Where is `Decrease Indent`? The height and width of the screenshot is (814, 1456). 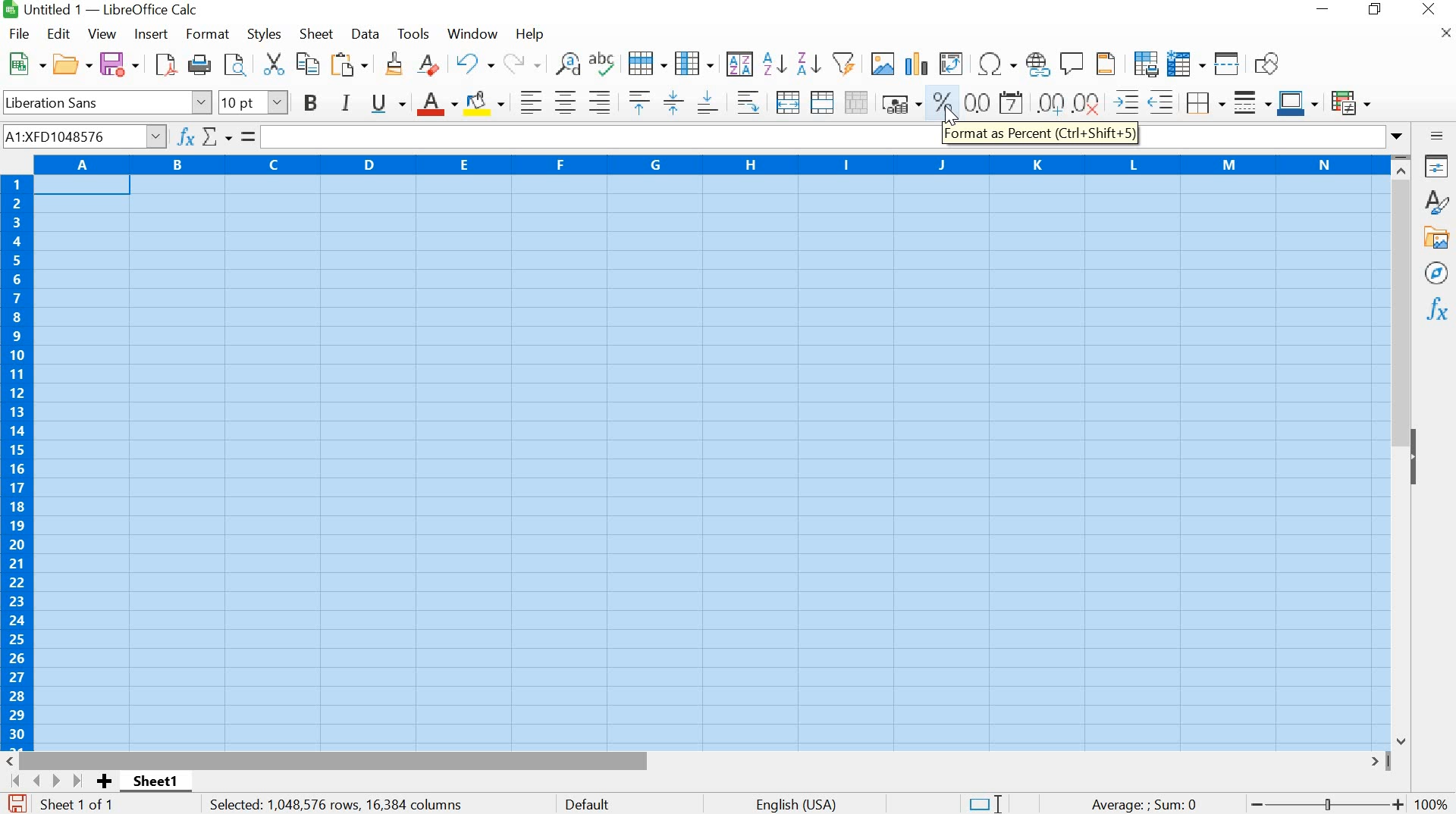
Decrease Indent is located at coordinates (1162, 100).